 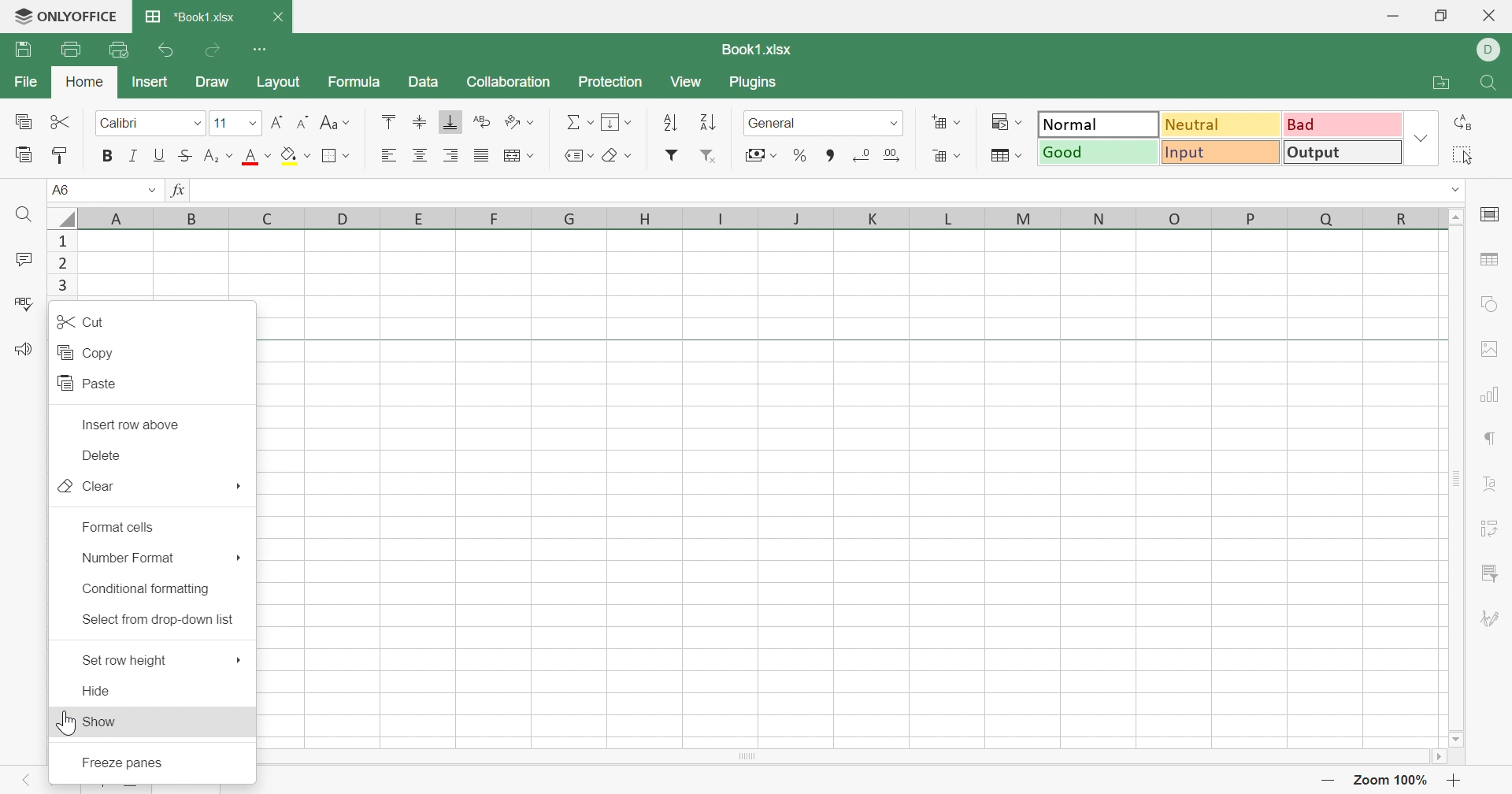 What do you see at coordinates (1489, 440) in the screenshot?
I see `Paragraph settings` at bounding box center [1489, 440].